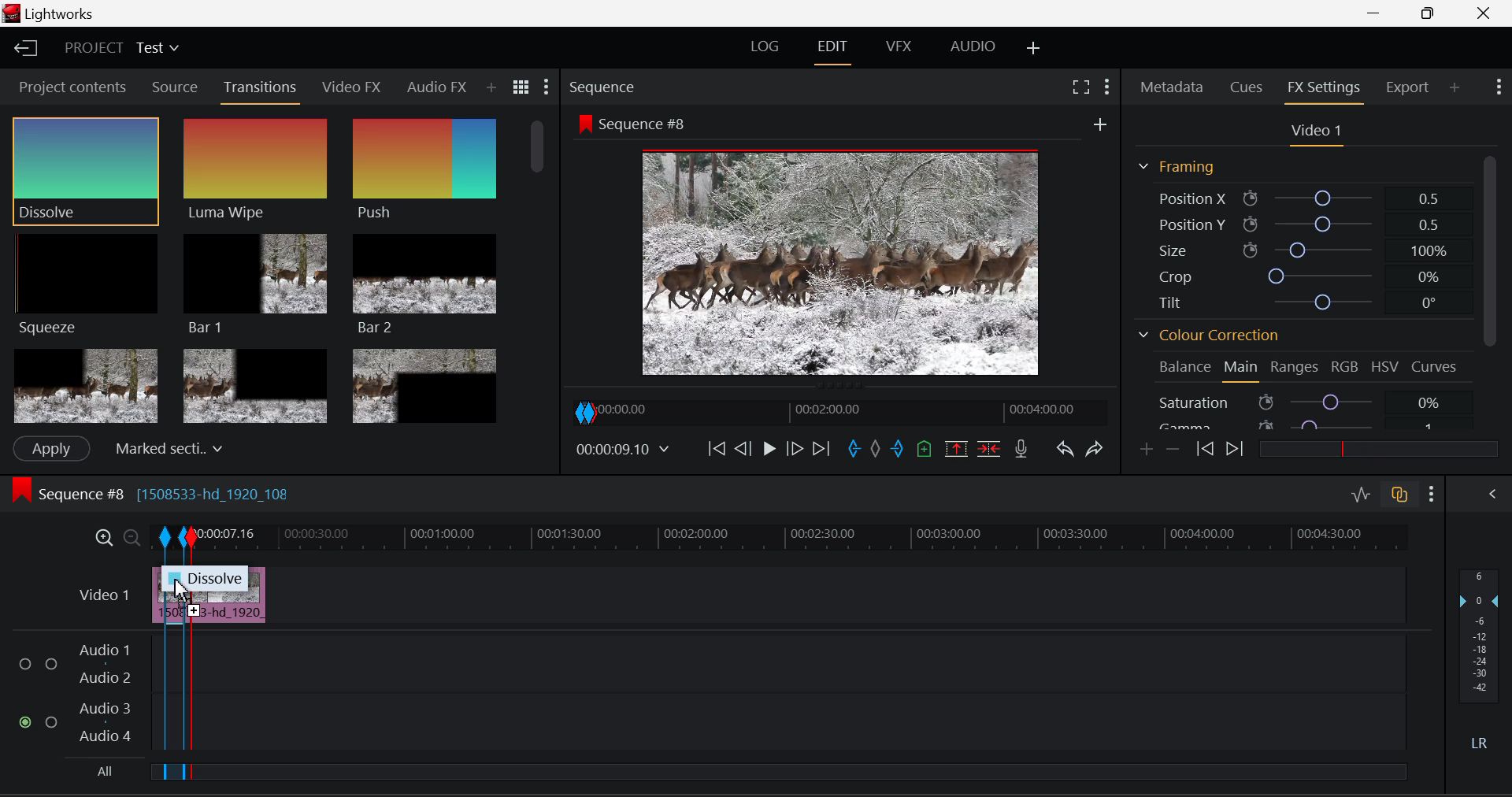  Describe the element at coordinates (923, 450) in the screenshot. I see `Mark Cue` at that location.